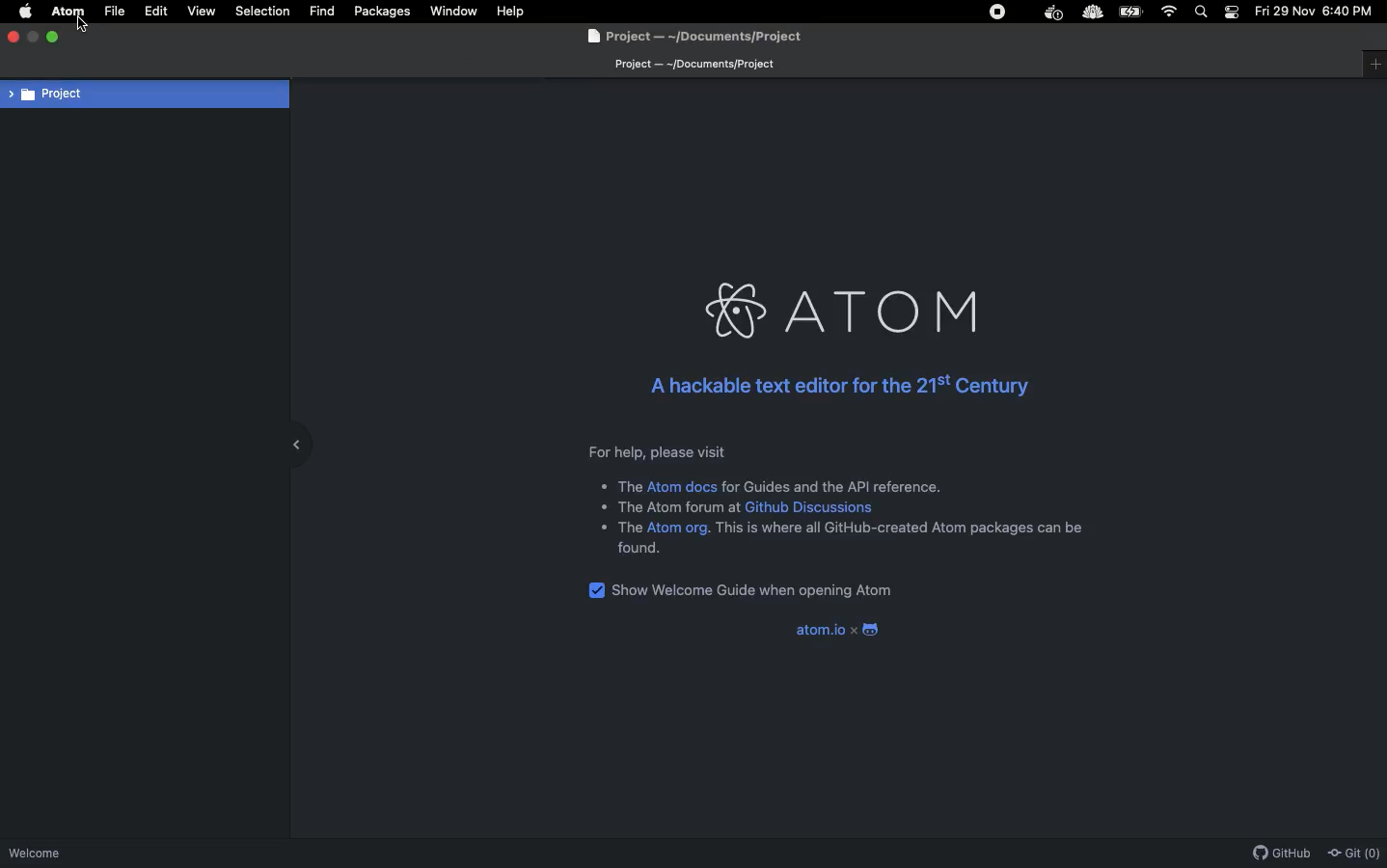  I want to click on Apple logo, so click(28, 12).